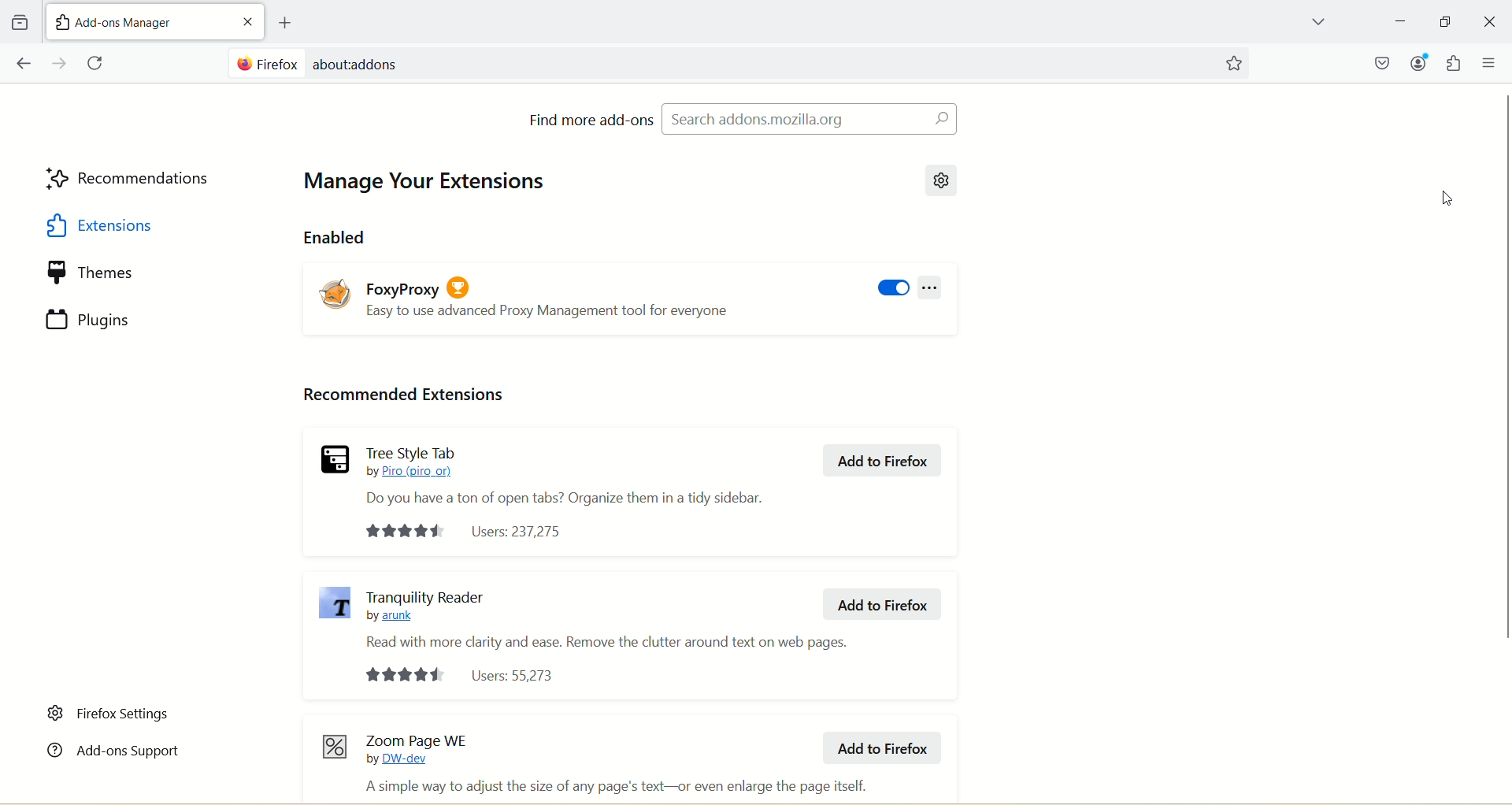 Image resolution: width=1512 pixels, height=805 pixels. Describe the element at coordinates (1317, 24) in the screenshot. I see `Drop down box` at that location.